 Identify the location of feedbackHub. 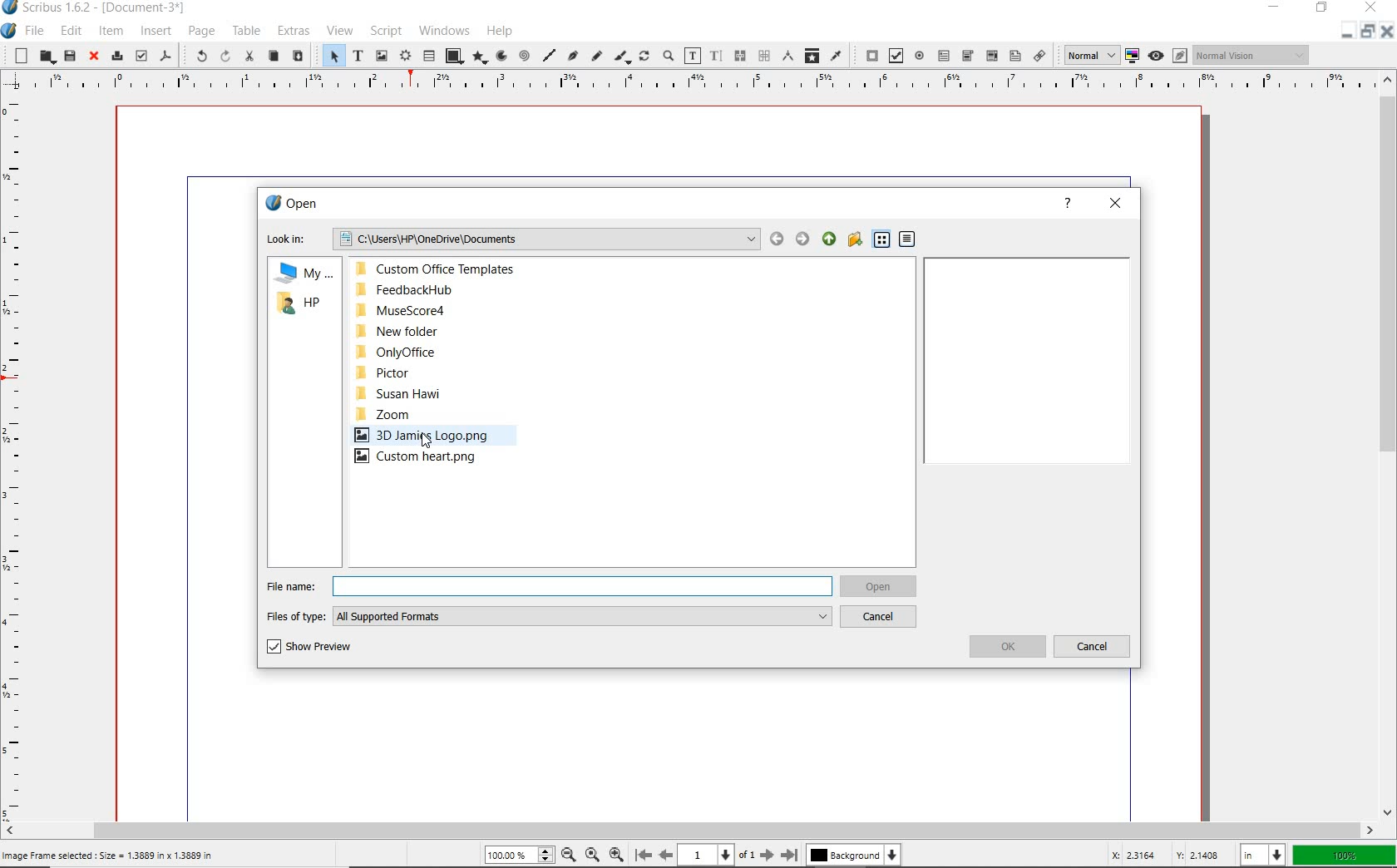
(450, 289).